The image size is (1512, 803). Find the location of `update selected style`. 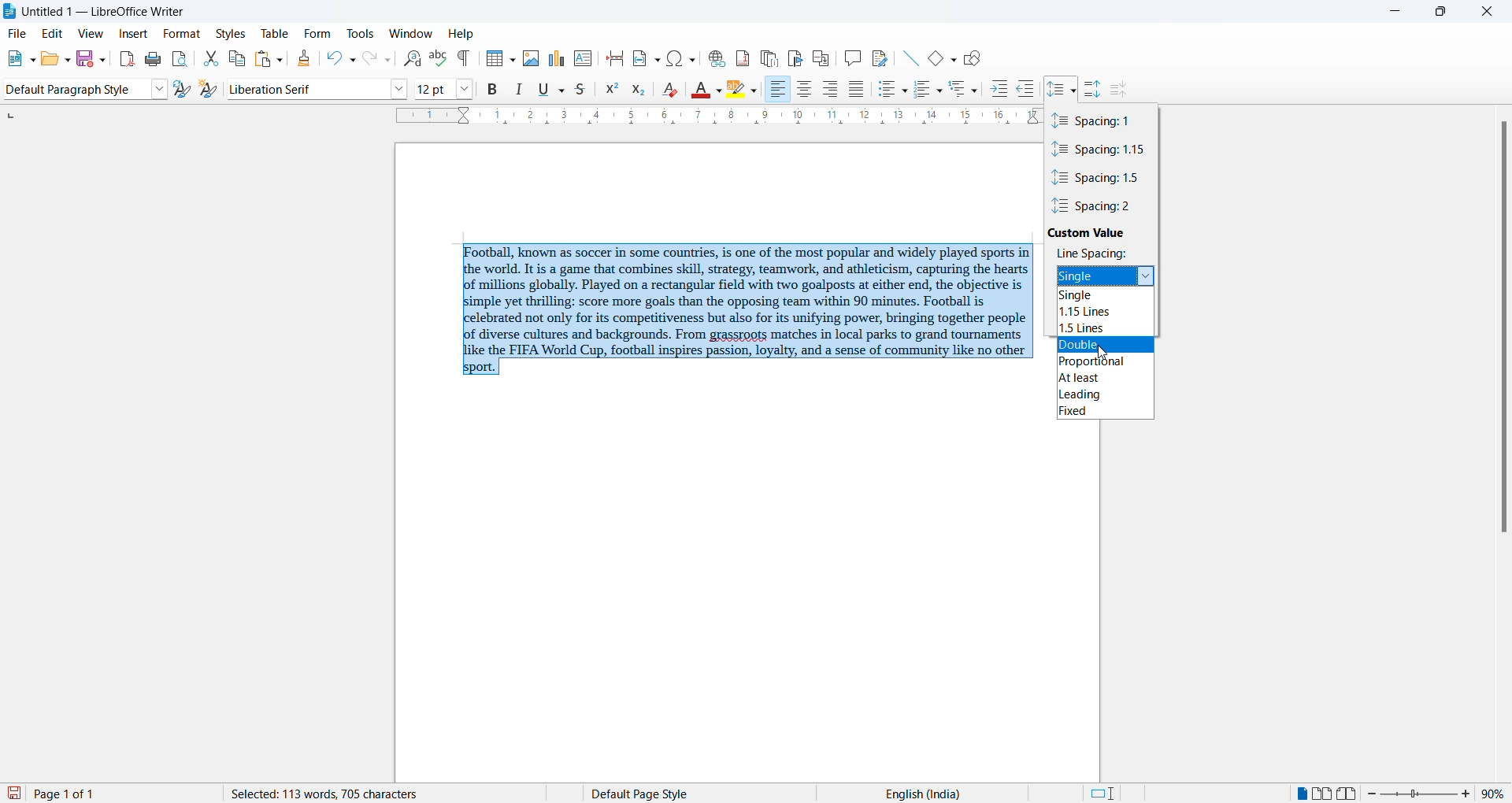

update selected style is located at coordinates (180, 89).